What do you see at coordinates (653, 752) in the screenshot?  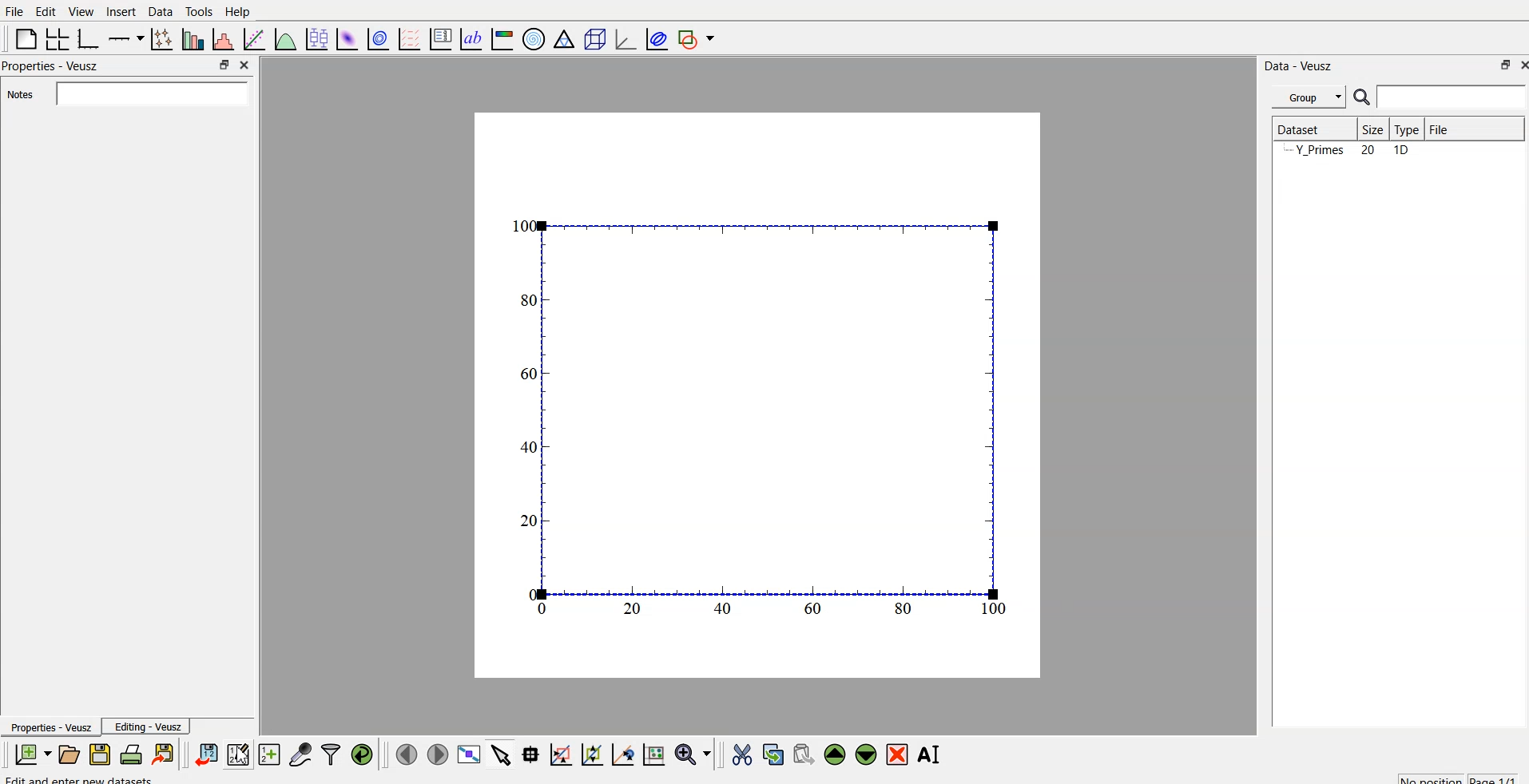 I see `reset graph axes` at bounding box center [653, 752].